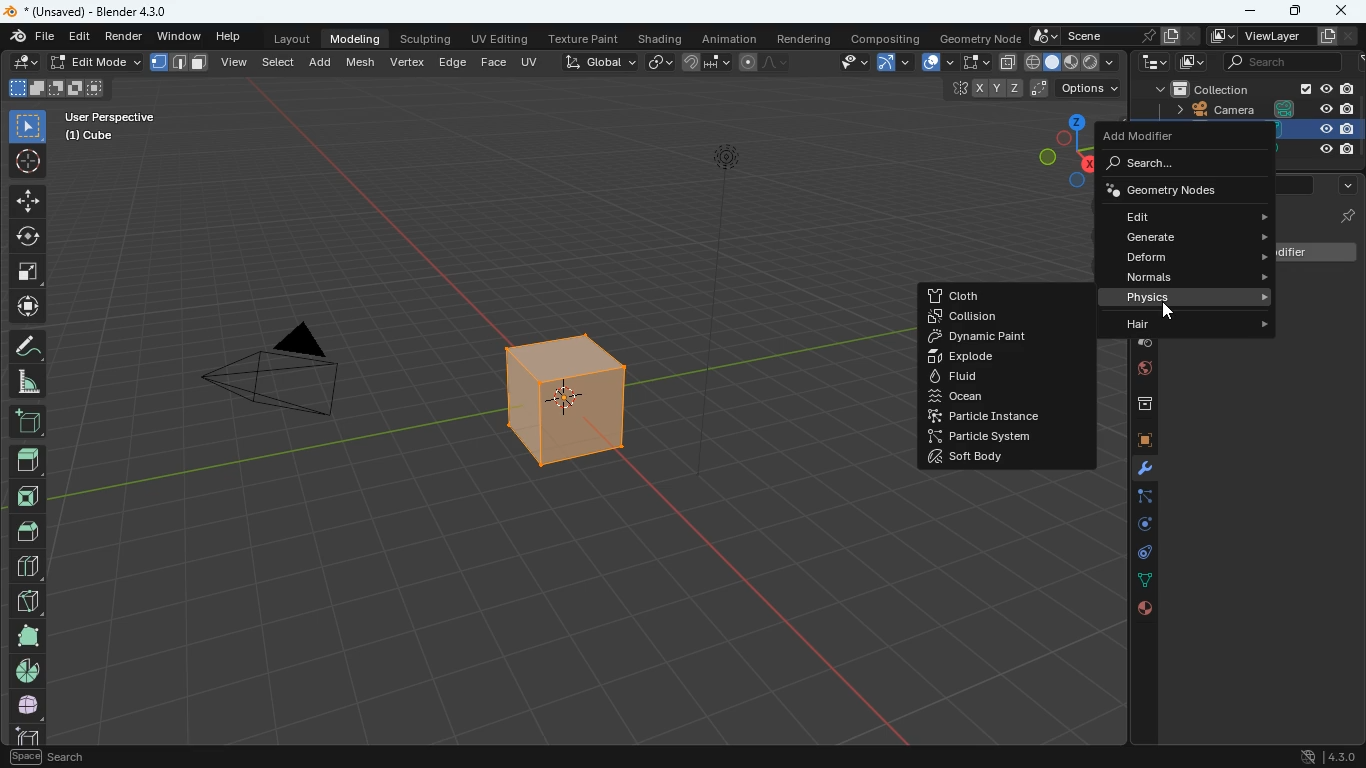 The image size is (1366, 768). I want to click on diagonal, so click(27, 597).